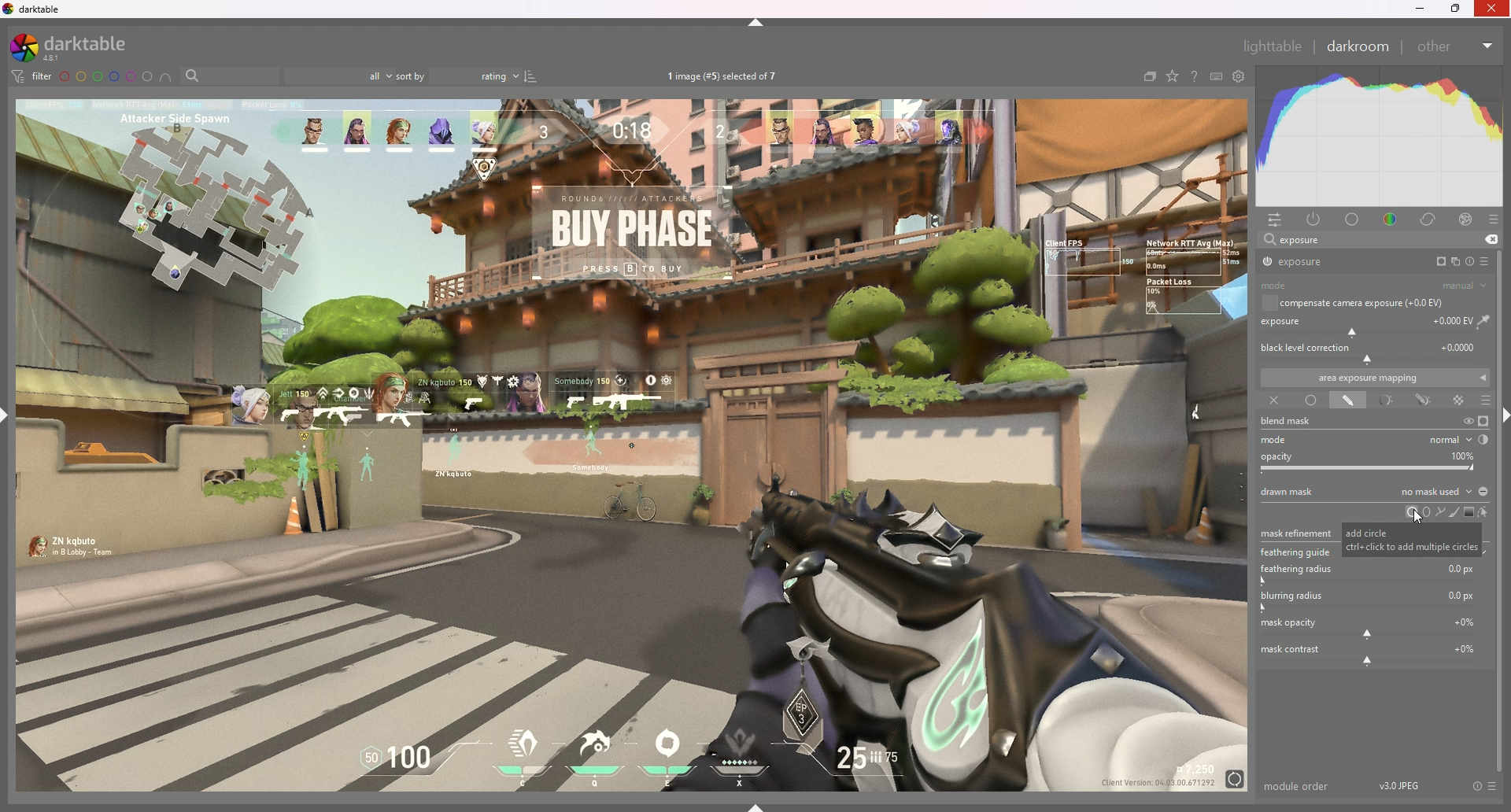  Describe the element at coordinates (1357, 46) in the screenshot. I see `darkroom` at that location.